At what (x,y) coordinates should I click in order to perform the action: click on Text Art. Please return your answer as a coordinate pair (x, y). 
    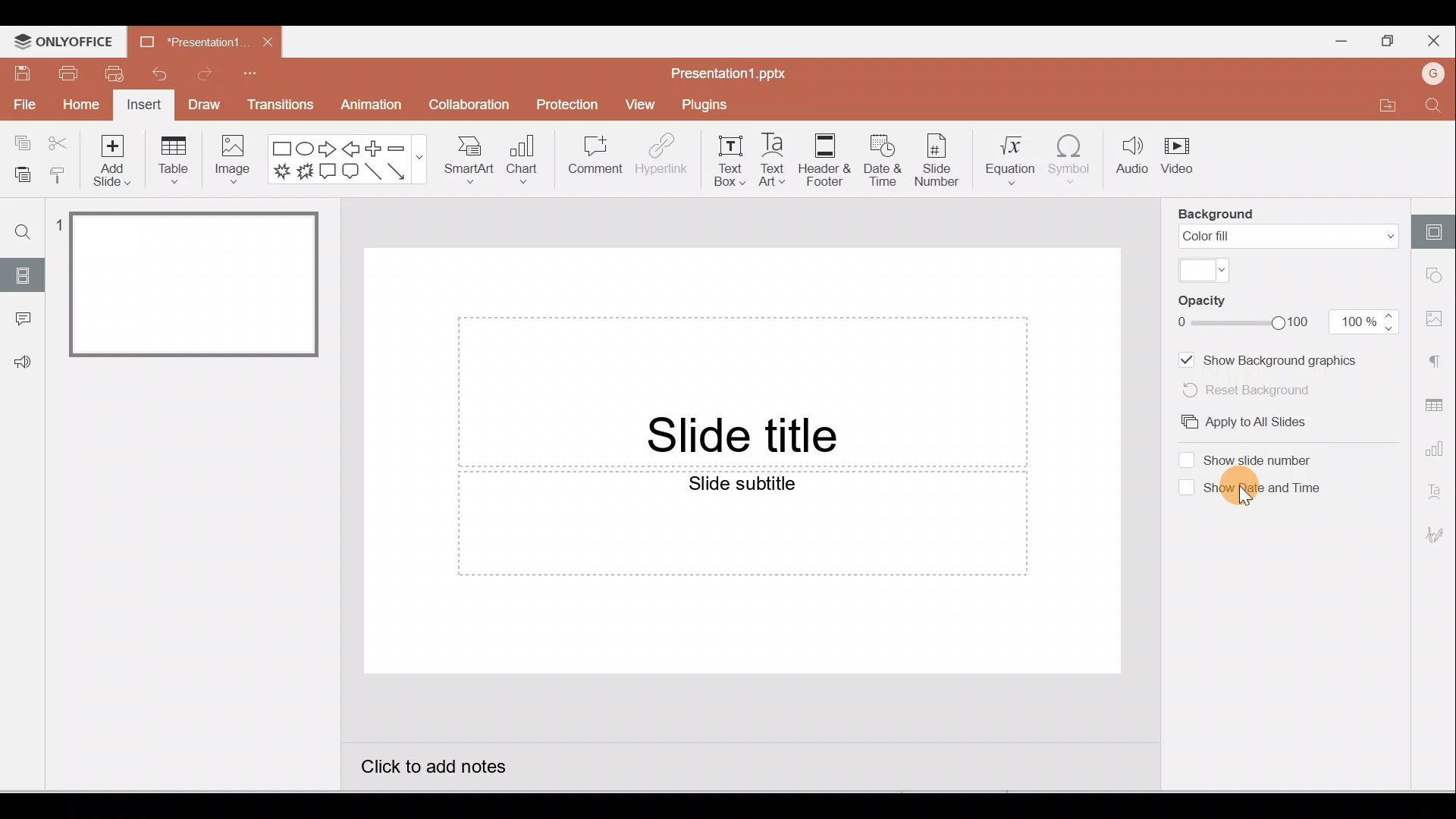
    Looking at the image, I should click on (773, 160).